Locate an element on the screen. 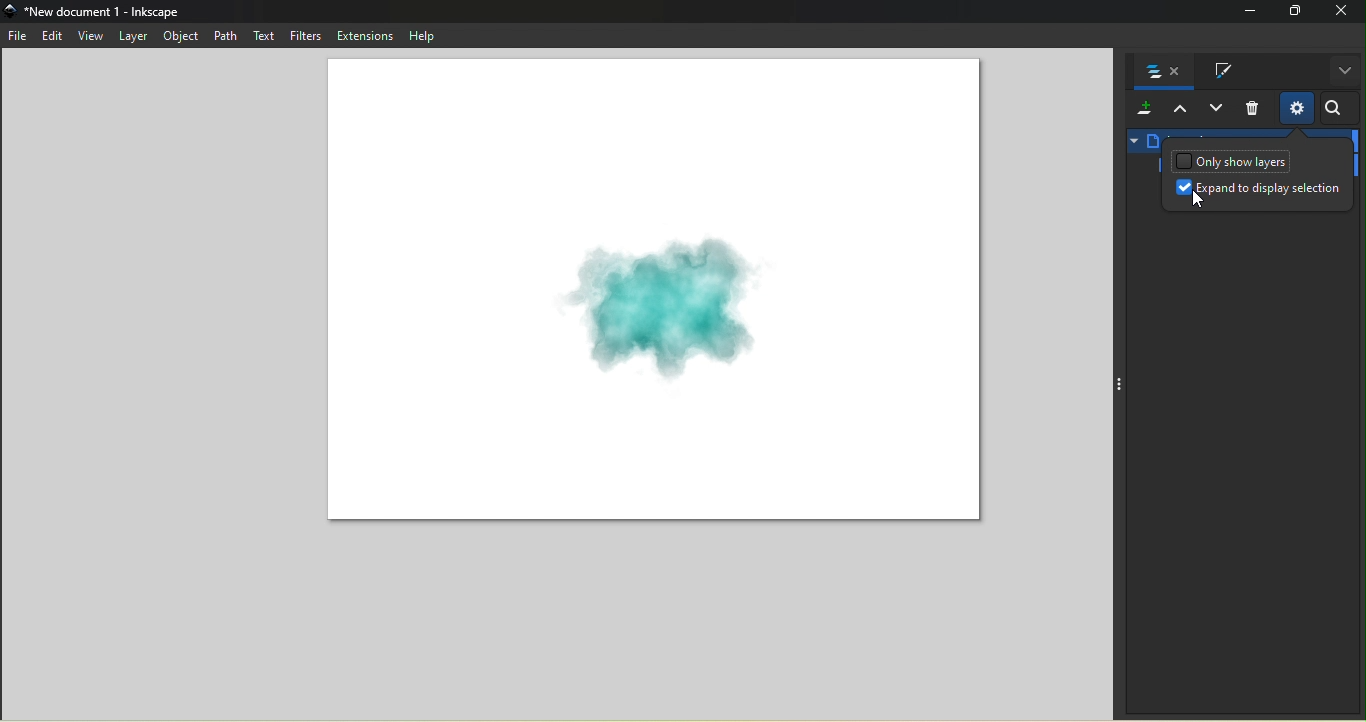  Delete selected item is located at coordinates (1253, 110).